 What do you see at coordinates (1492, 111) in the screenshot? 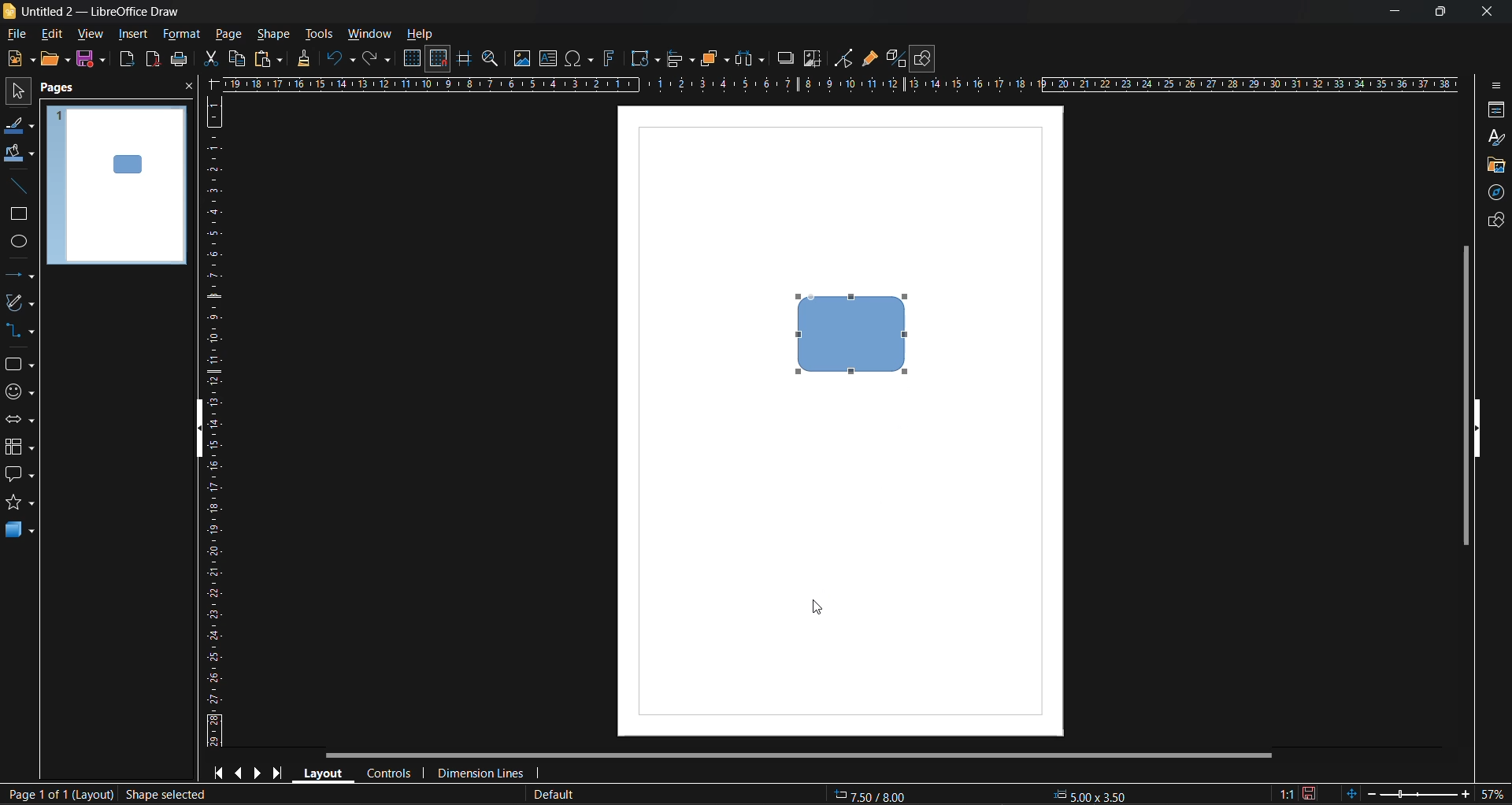
I see `properties` at bounding box center [1492, 111].